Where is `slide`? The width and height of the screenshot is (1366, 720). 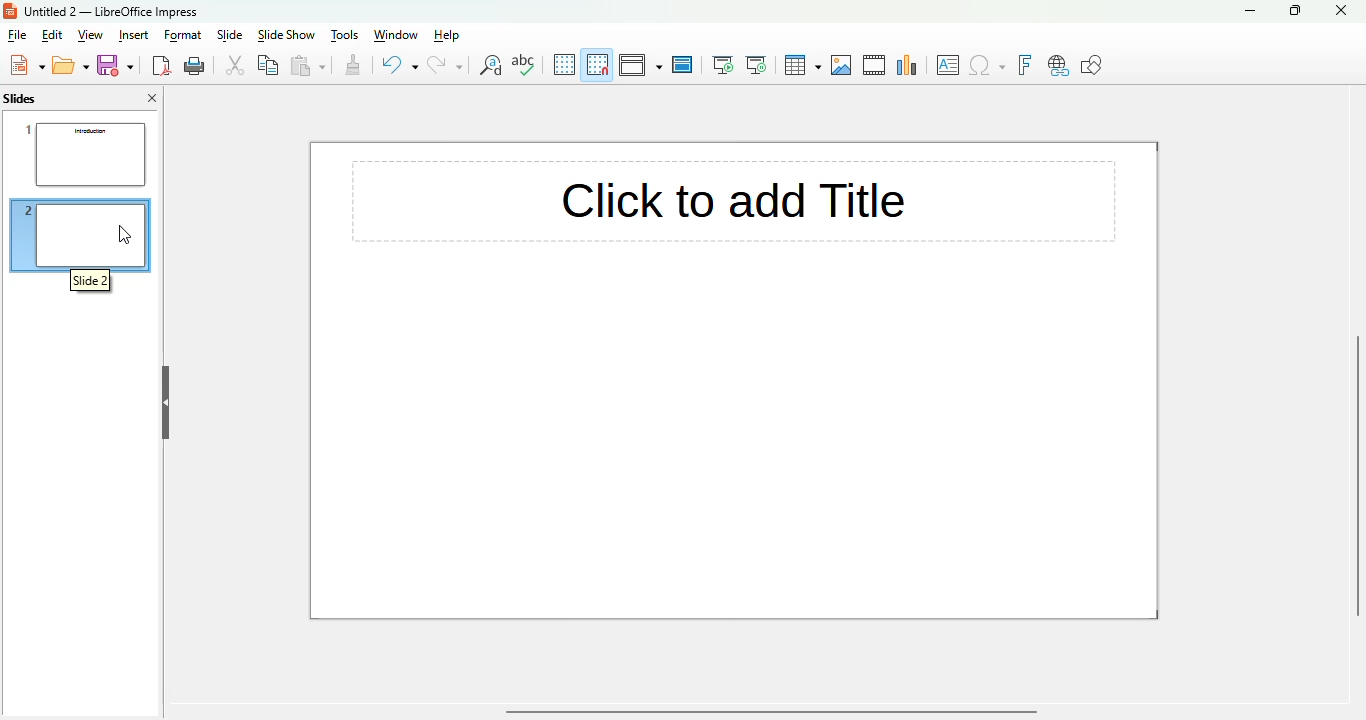
slide is located at coordinates (230, 34).